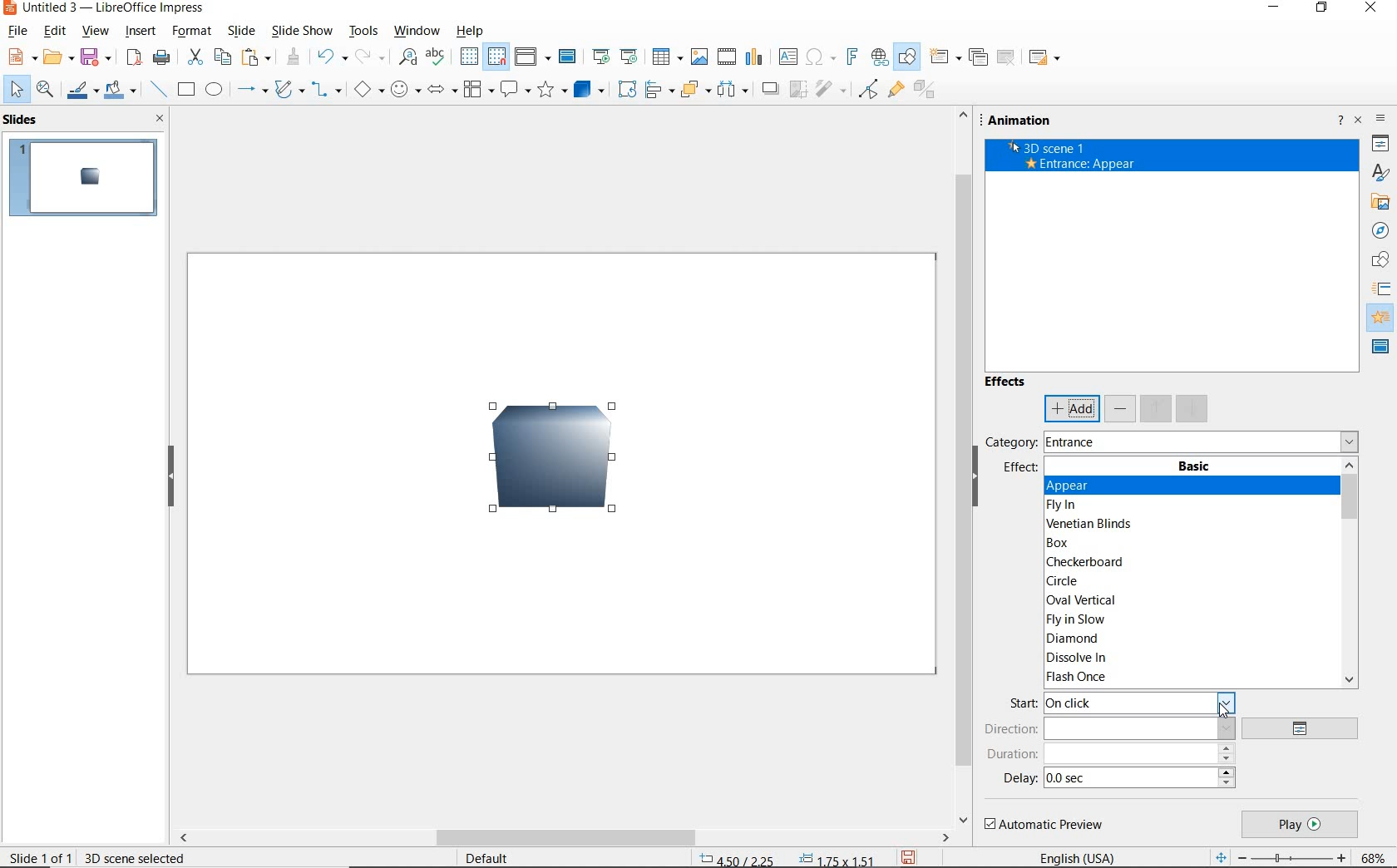  What do you see at coordinates (1338, 122) in the screenshot?
I see `help about sidebar deck` at bounding box center [1338, 122].